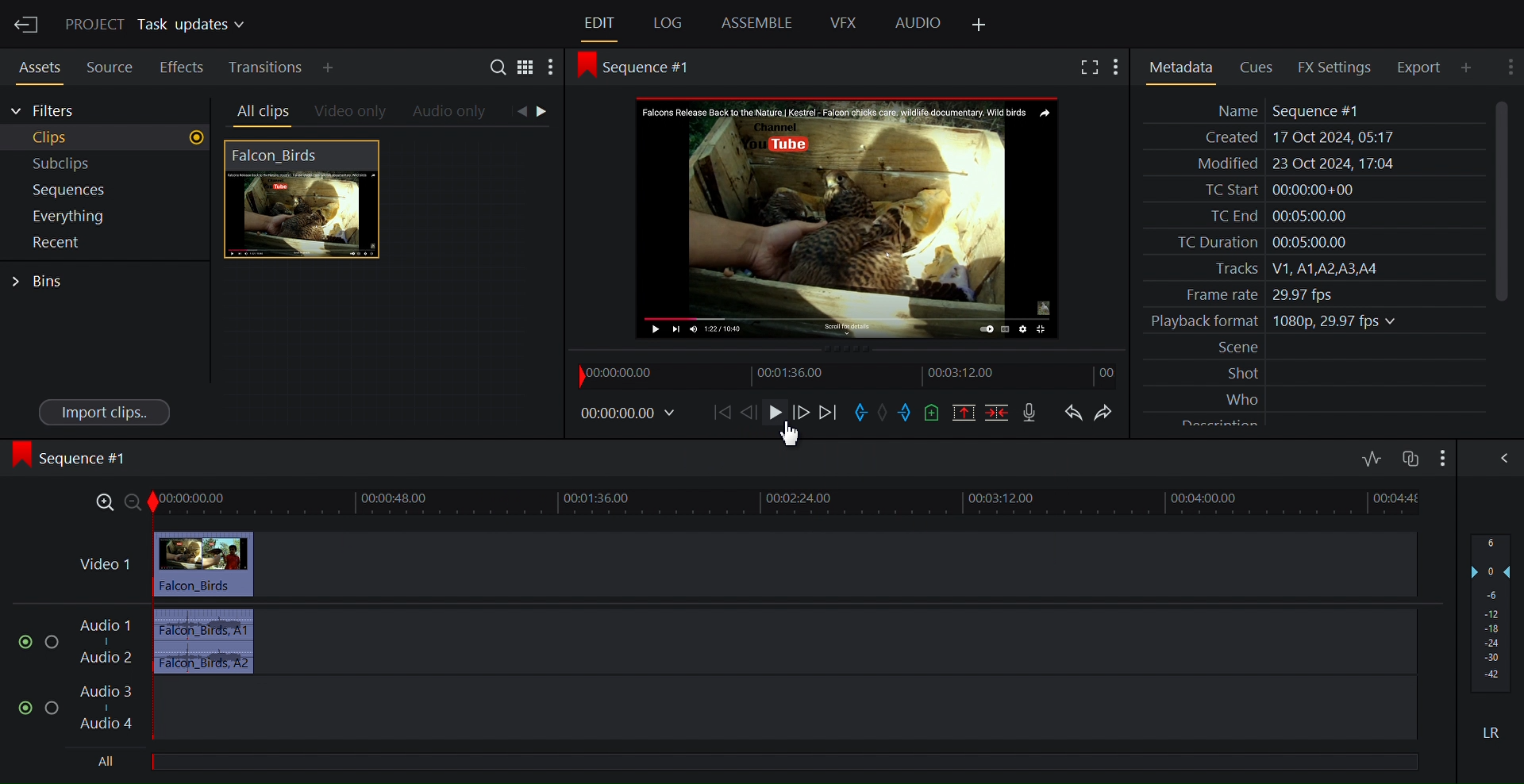 Image resolution: width=1524 pixels, height=784 pixels. What do you see at coordinates (103, 216) in the screenshot?
I see `Show everything in the current project` at bounding box center [103, 216].